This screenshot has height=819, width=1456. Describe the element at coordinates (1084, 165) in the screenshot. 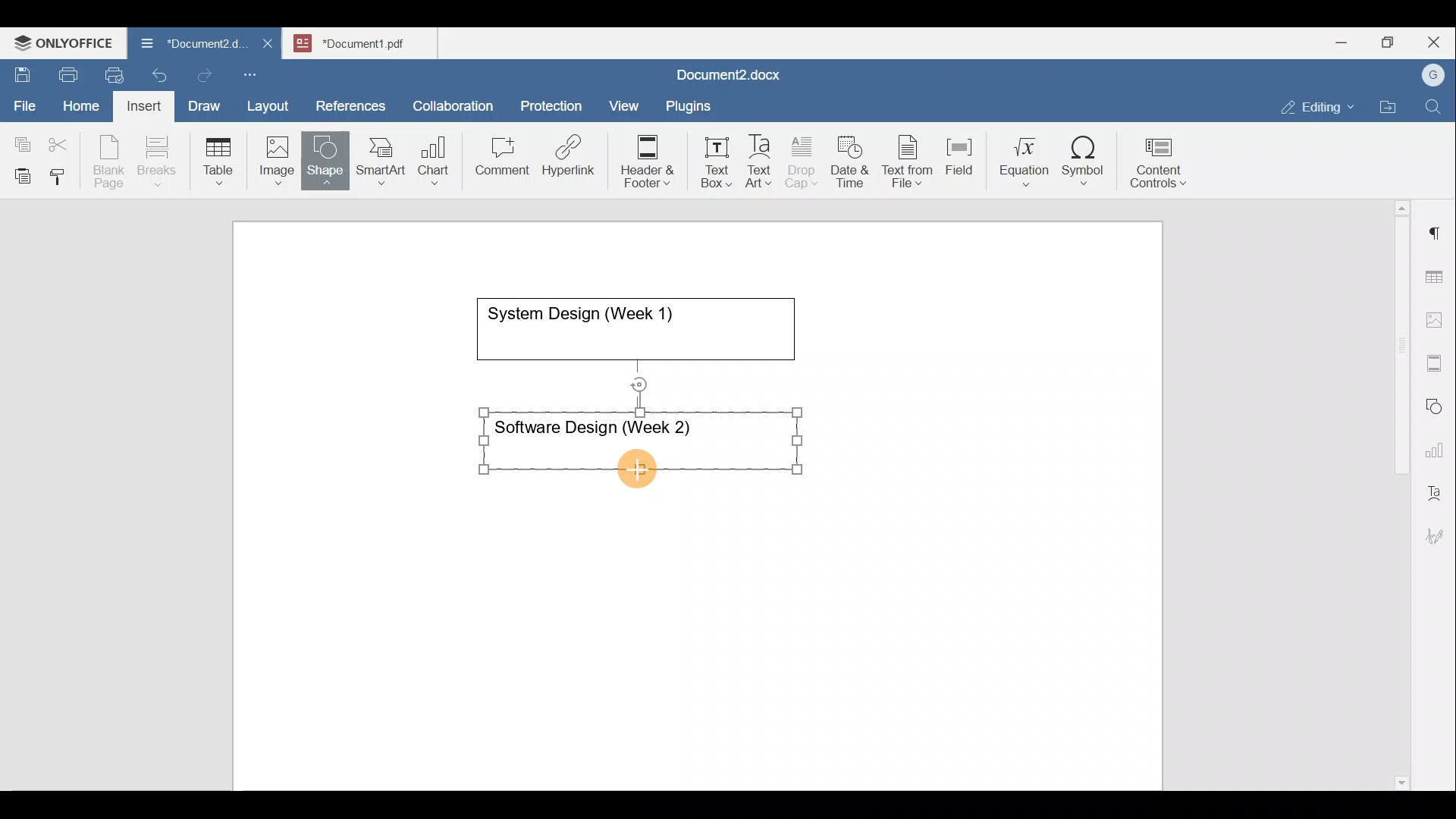

I see `Symbol` at that location.